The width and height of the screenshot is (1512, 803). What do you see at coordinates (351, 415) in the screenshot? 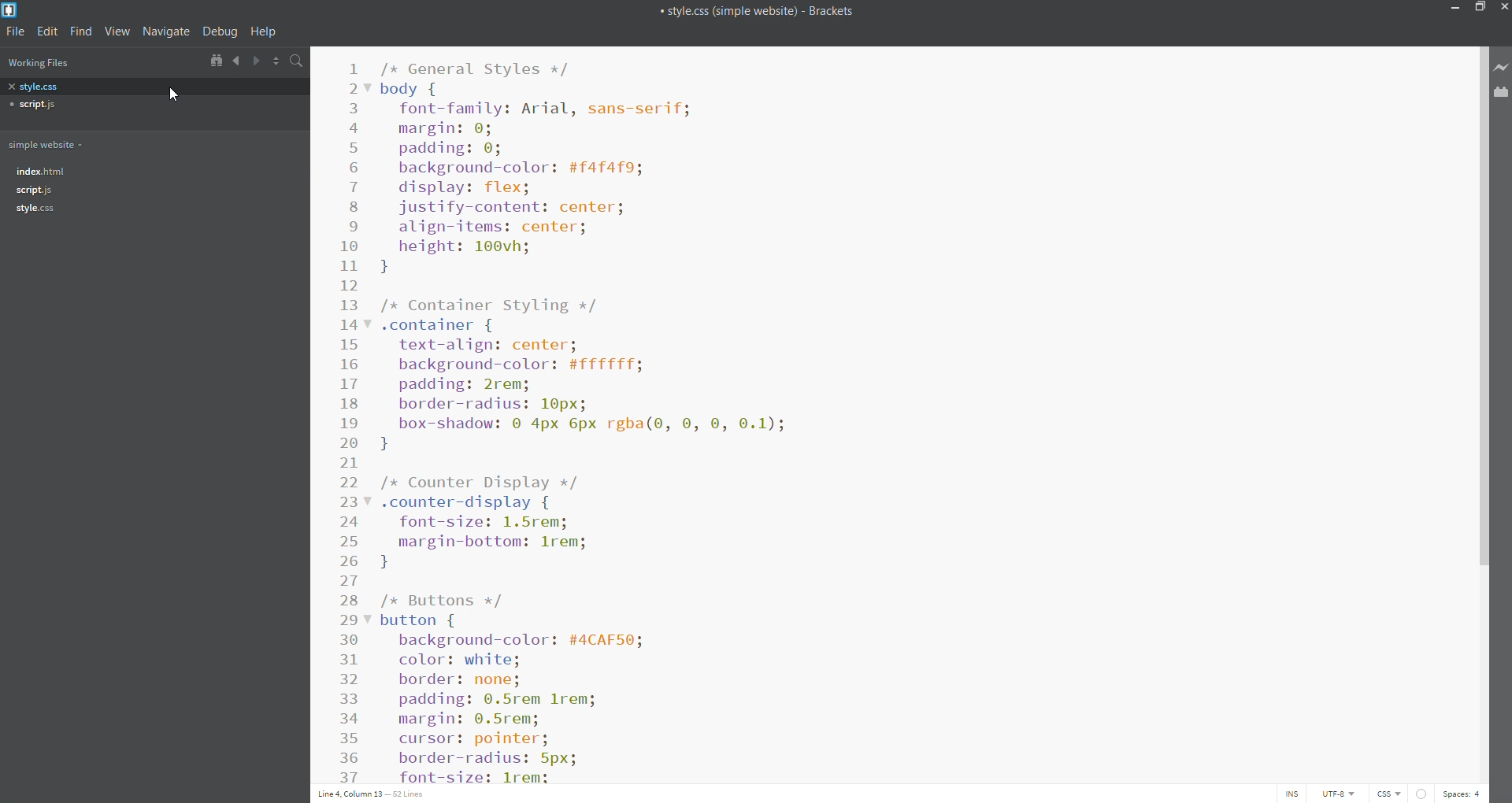
I see `line number` at bounding box center [351, 415].